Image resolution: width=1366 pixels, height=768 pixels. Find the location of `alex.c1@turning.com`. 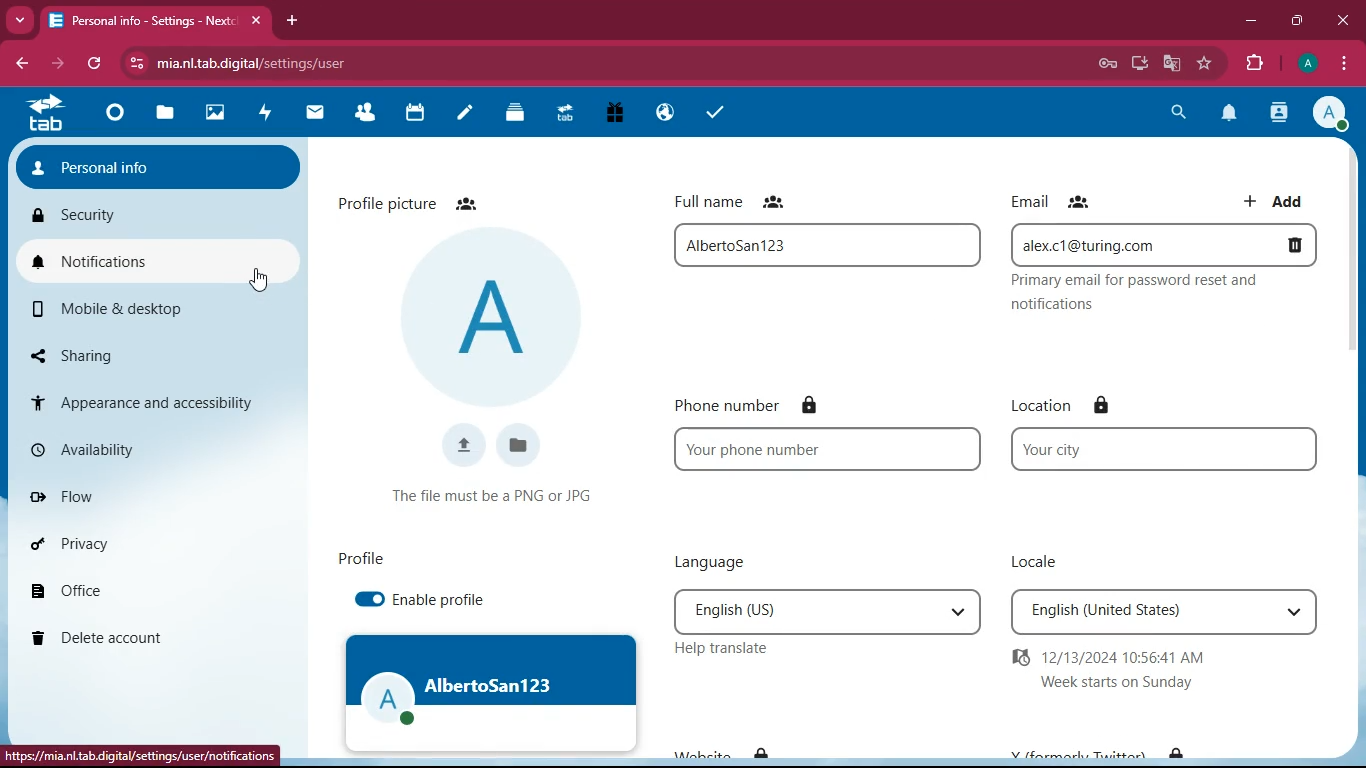

alex.c1@turning.com is located at coordinates (1130, 245).